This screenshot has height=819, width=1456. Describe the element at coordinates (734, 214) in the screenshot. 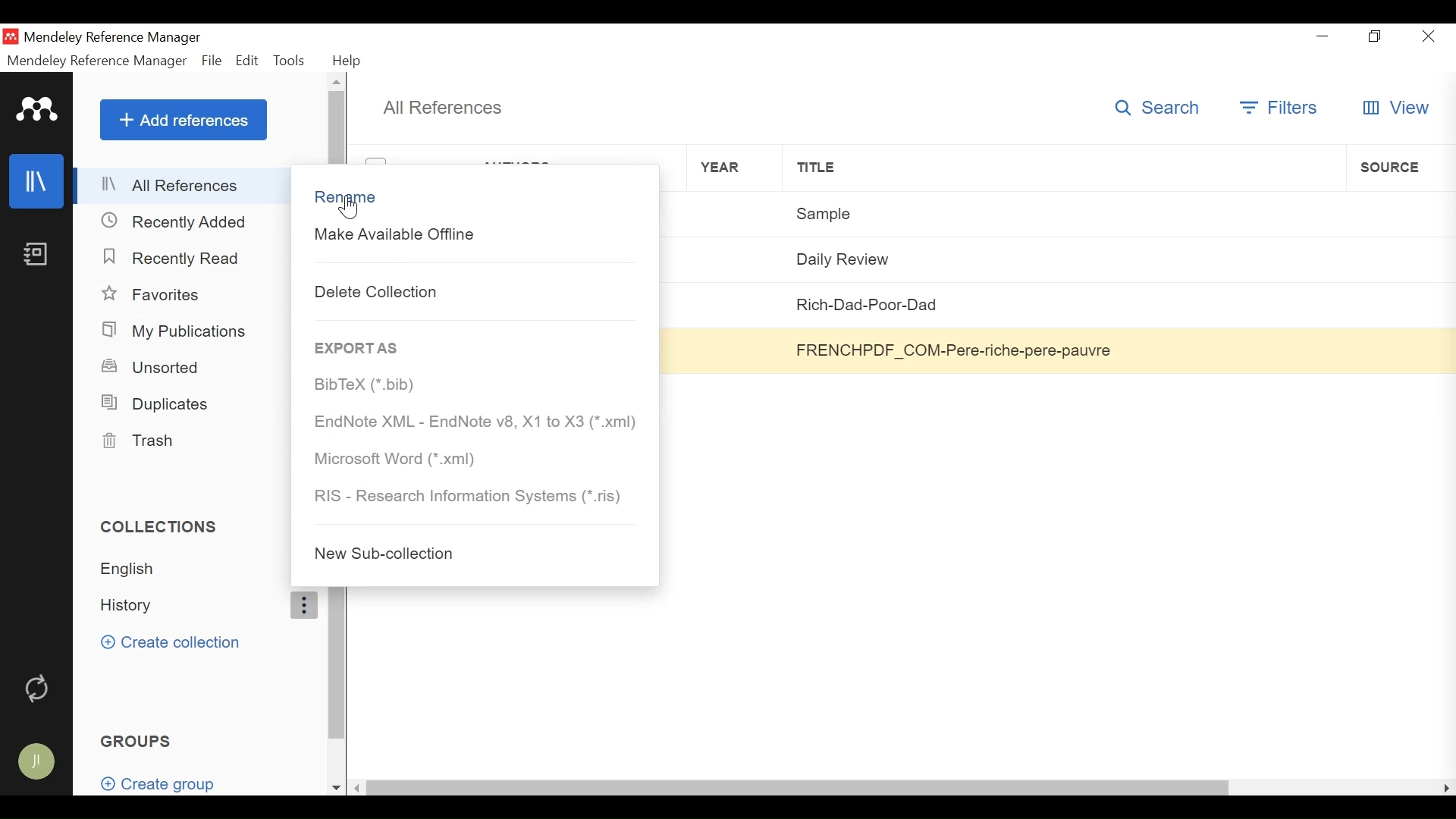

I see `Year` at that location.